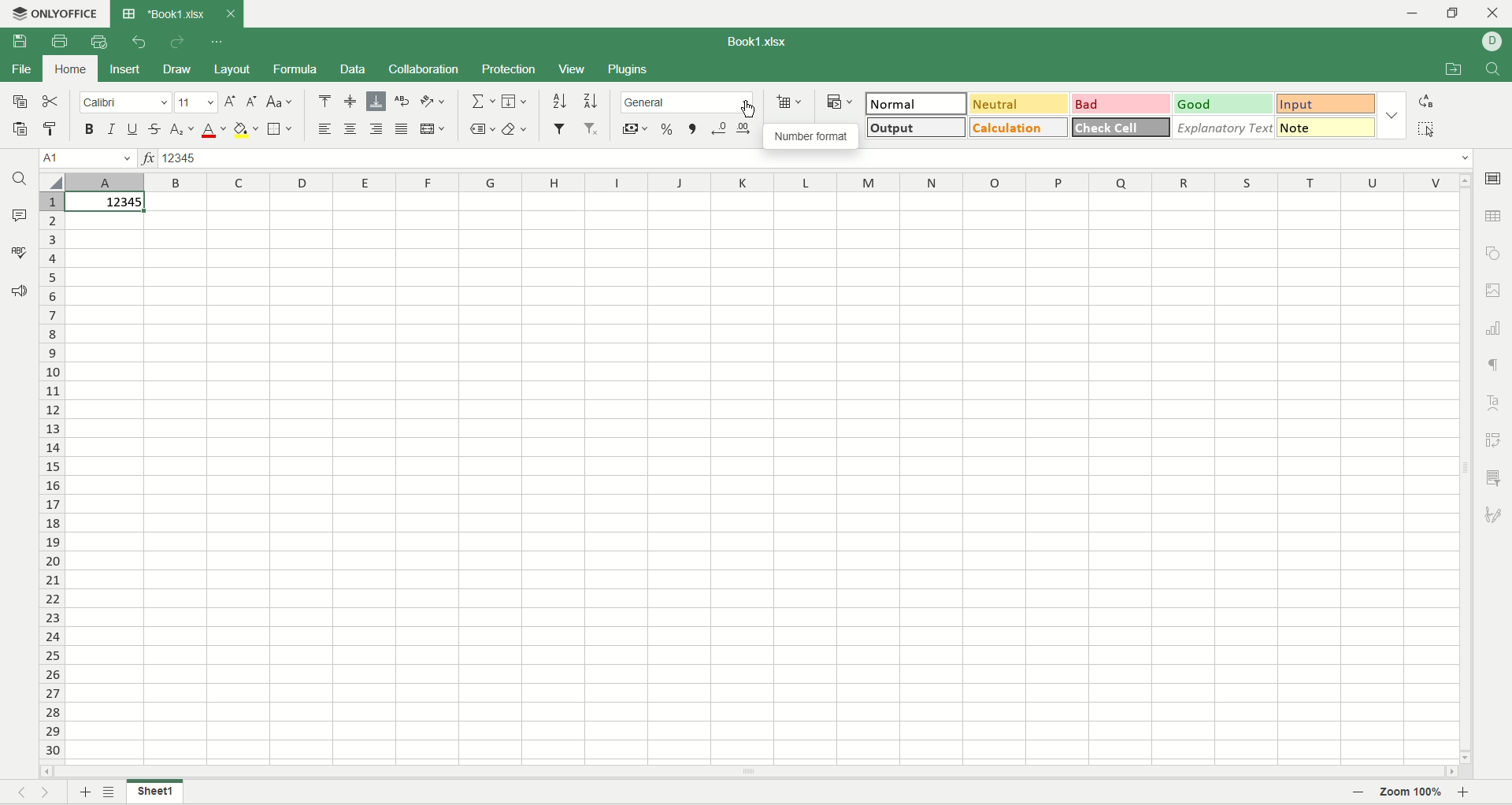 The height and width of the screenshot is (805, 1512). I want to click on conditional formatting, so click(839, 100).